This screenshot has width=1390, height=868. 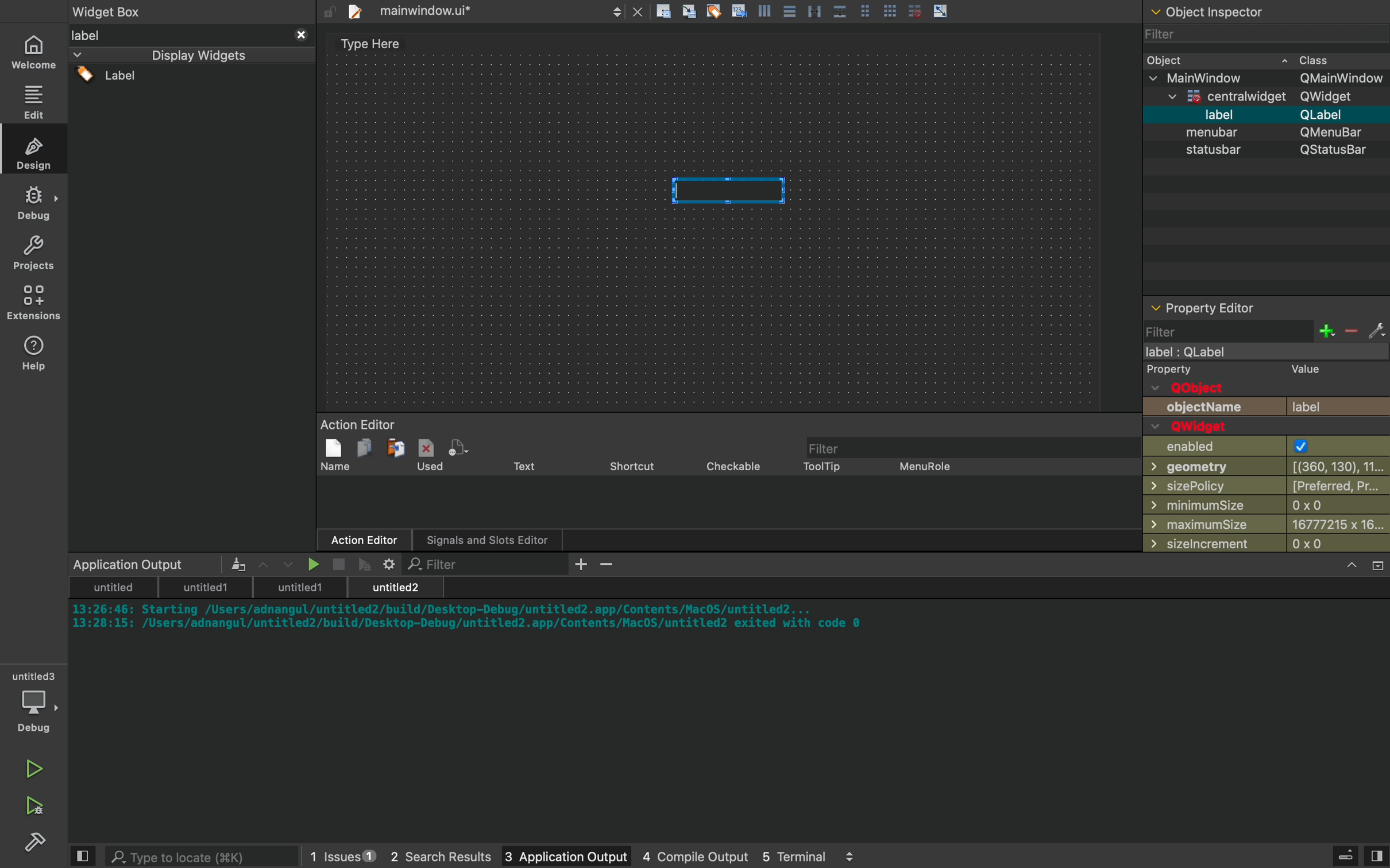 What do you see at coordinates (34, 805) in the screenshot?
I see `debug and run` at bounding box center [34, 805].